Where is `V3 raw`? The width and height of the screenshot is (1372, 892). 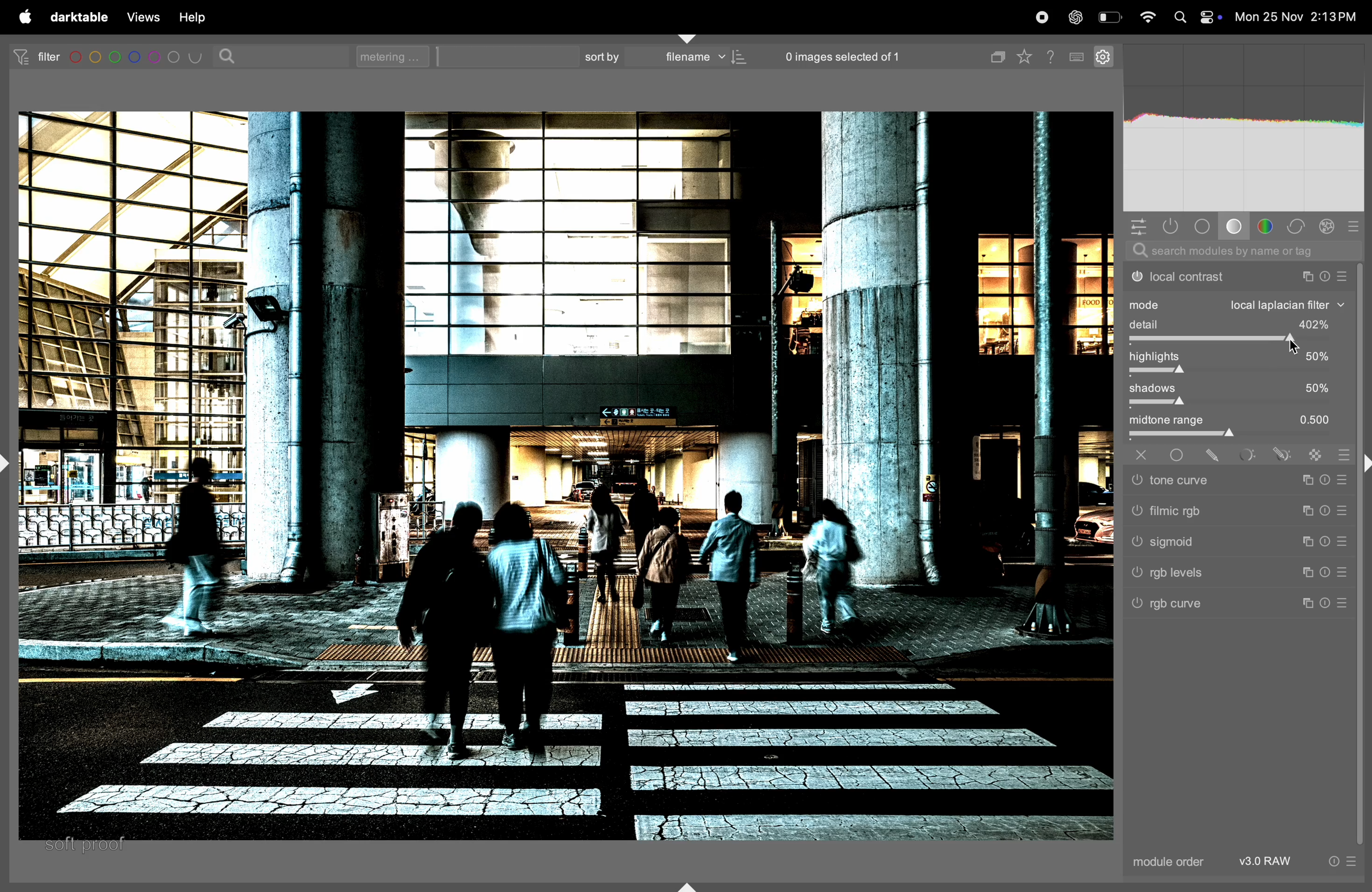 V3 raw is located at coordinates (1273, 861).